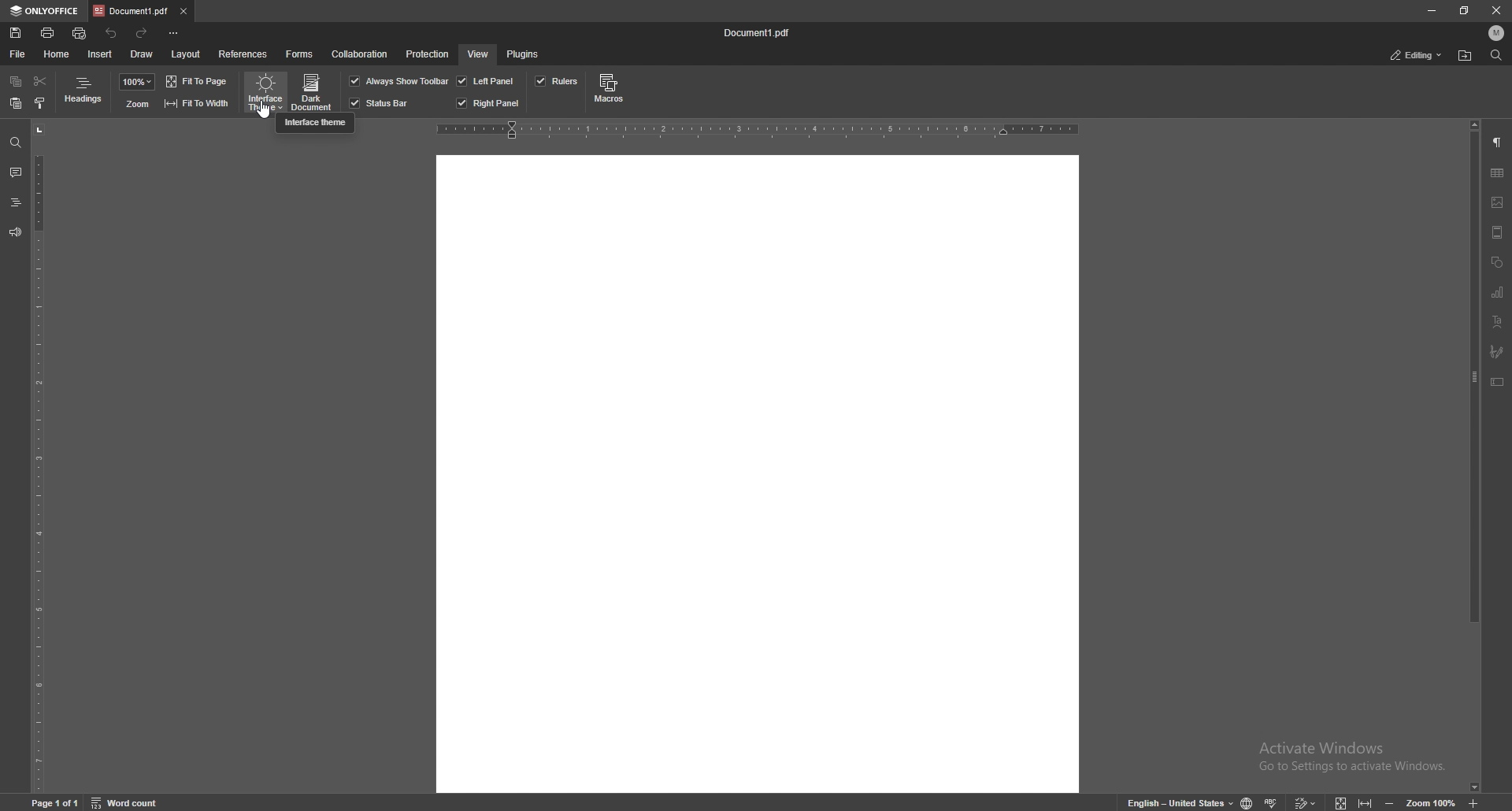 The image size is (1512, 811). What do you see at coordinates (1273, 802) in the screenshot?
I see `spell check` at bounding box center [1273, 802].